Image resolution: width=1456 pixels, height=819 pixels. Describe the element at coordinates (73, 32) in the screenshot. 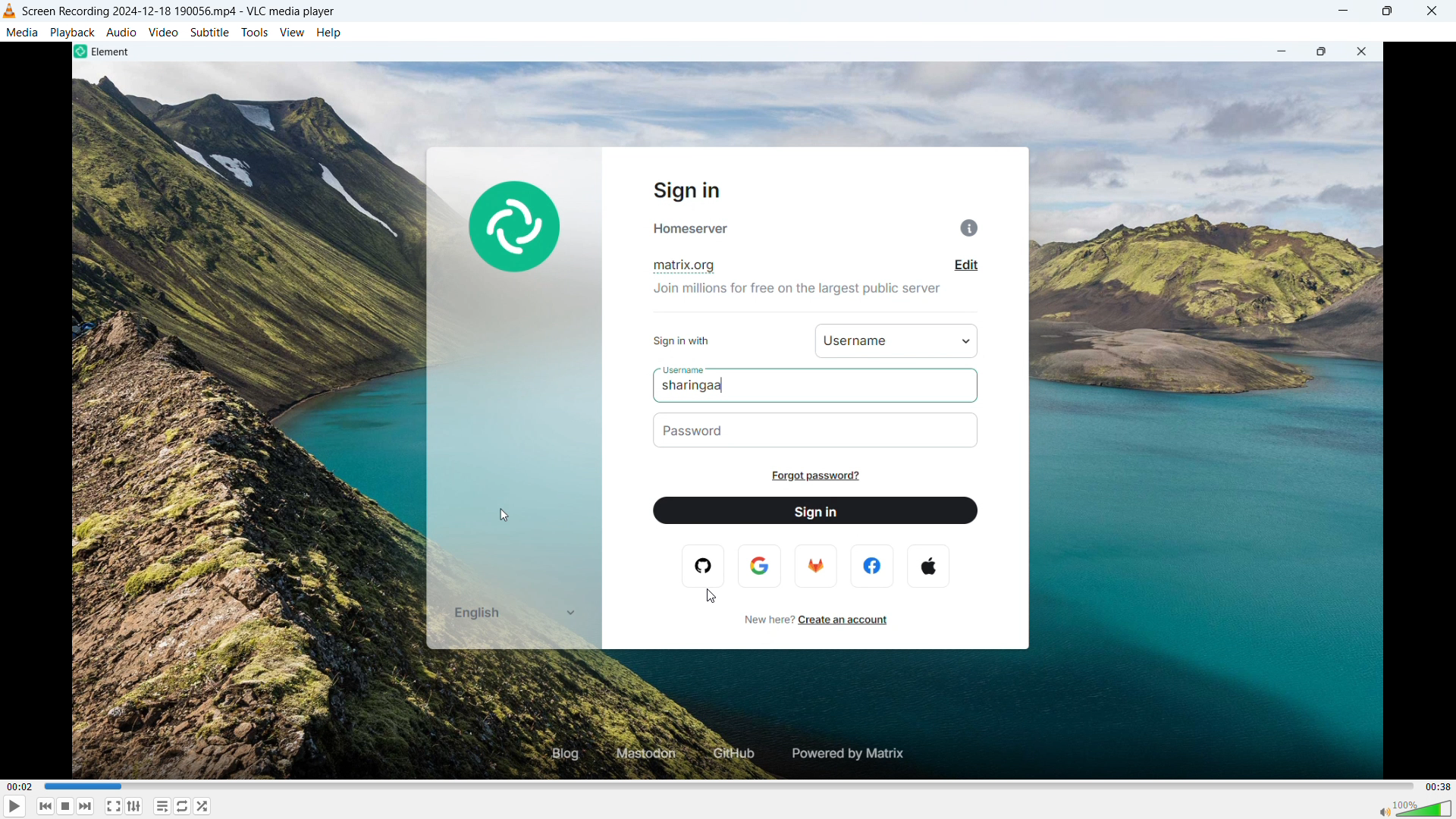

I see `playback` at that location.